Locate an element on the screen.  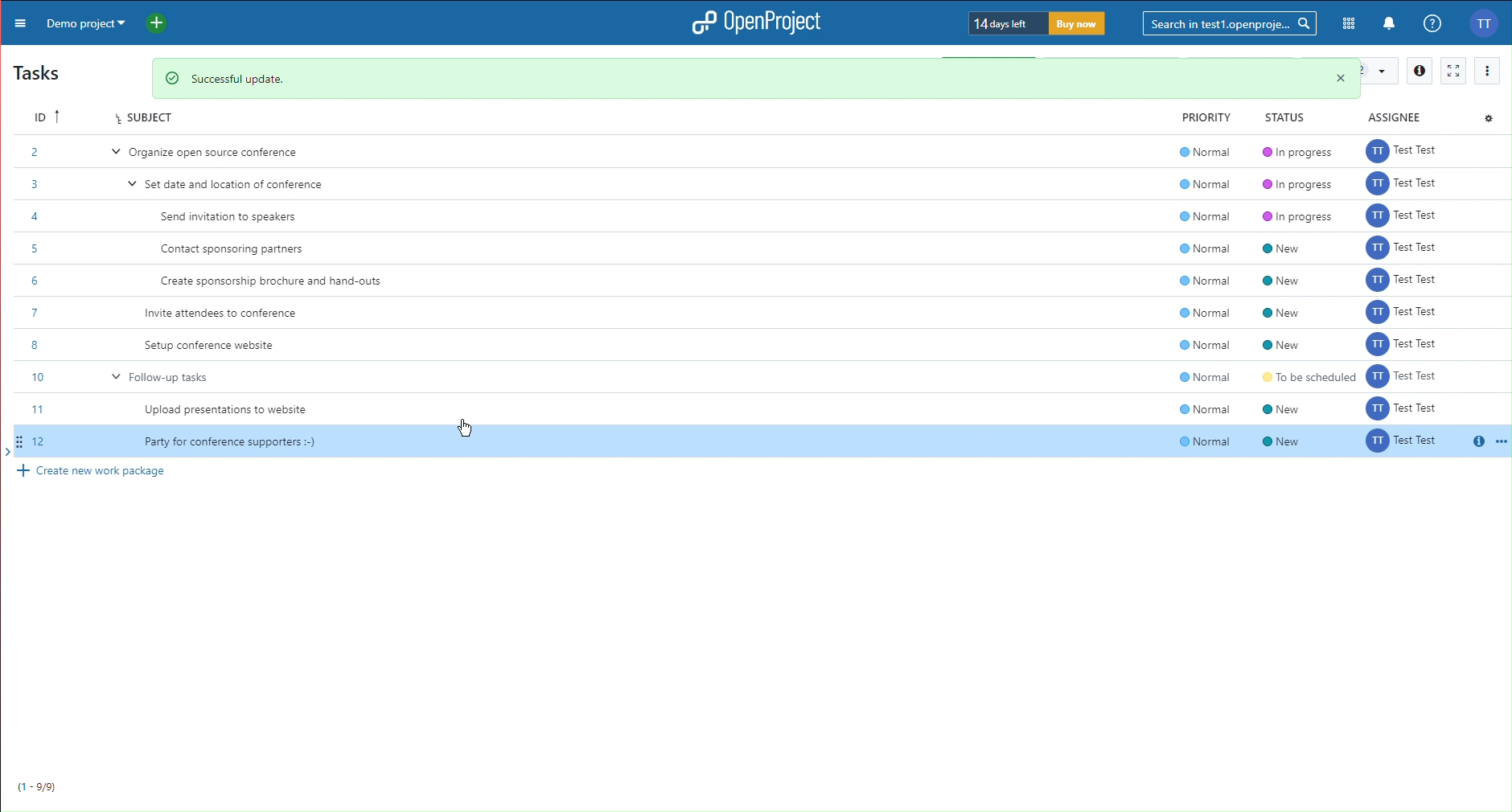
vite attendees to conference is located at coordinates (232, 312).